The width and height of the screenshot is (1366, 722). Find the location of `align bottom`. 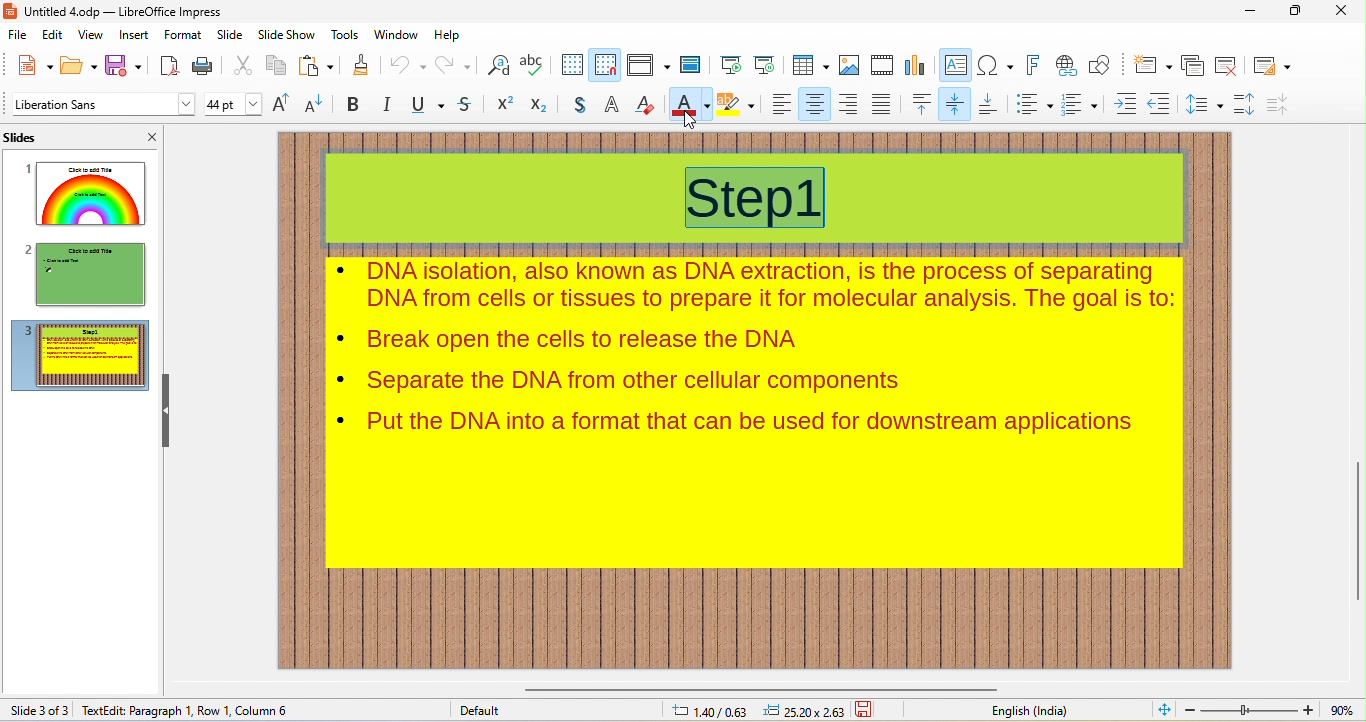

align bottom is located at coordinates (990, 104).